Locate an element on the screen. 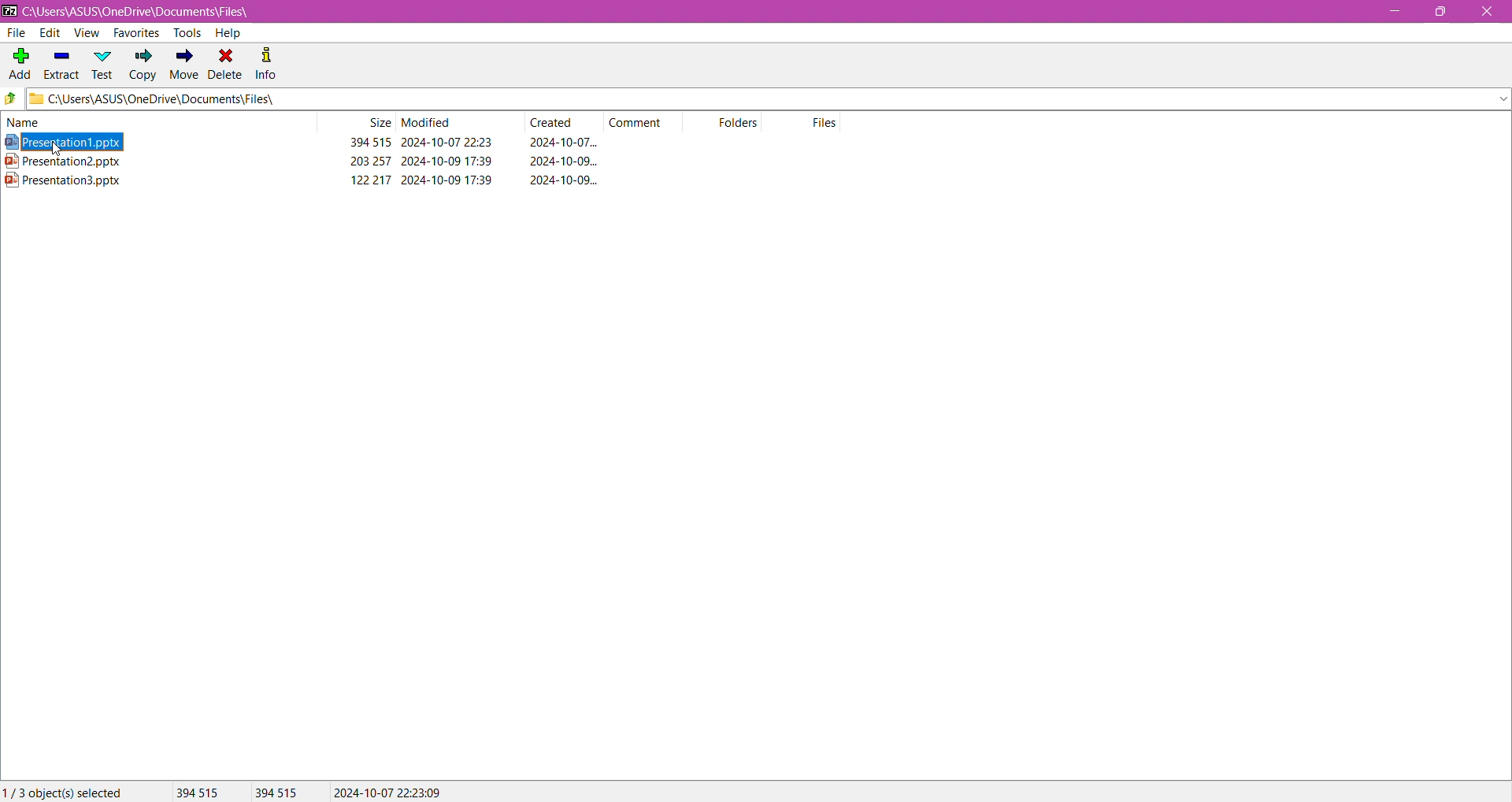 The height and width of the screenshot is (802, 1512). Copy is located at coordinates (143, 66).